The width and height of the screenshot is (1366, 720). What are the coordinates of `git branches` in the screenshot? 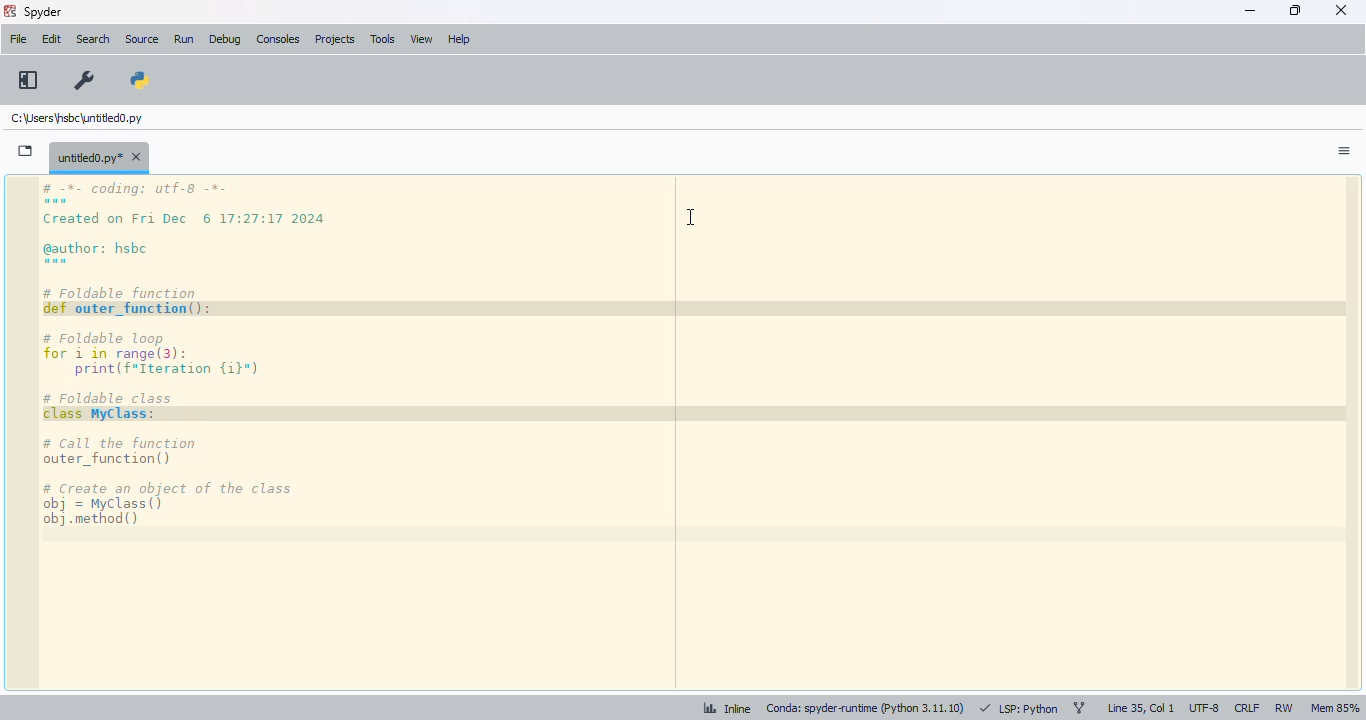 It's located at (1080, 708).